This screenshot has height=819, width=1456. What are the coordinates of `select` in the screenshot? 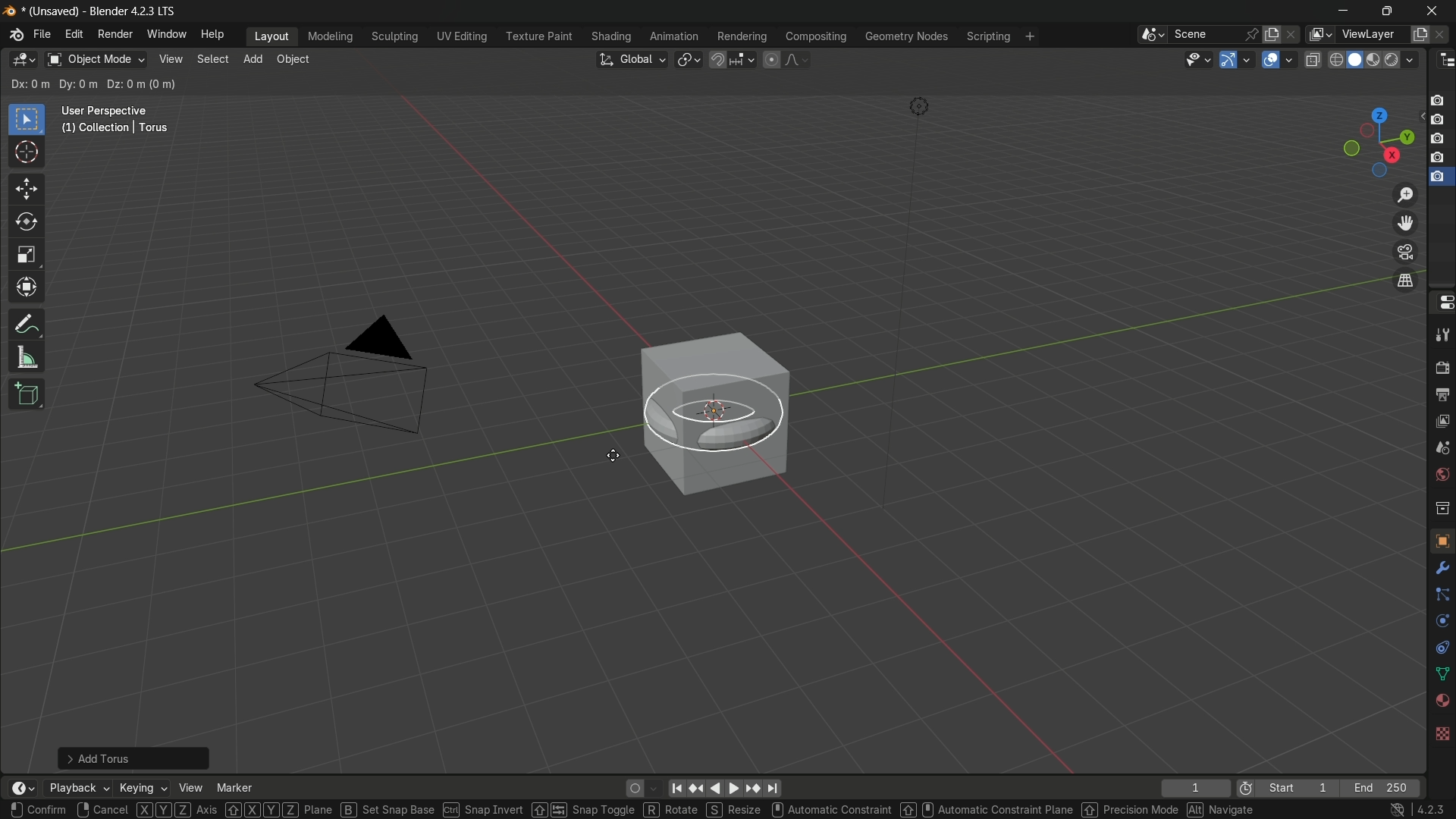 It's located at (26, 121).